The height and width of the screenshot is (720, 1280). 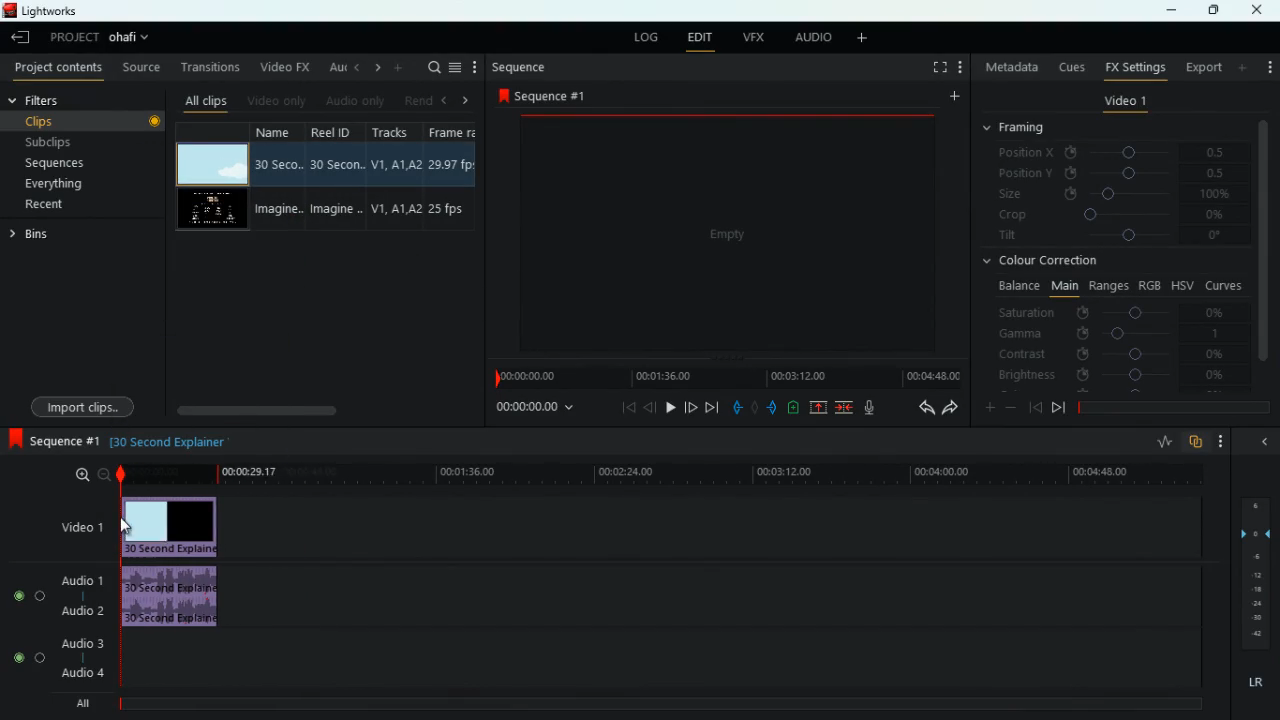 What do you see at coordinates (74, 121) in the screenshot?
I see `clips` at bounding box center [74, 121].